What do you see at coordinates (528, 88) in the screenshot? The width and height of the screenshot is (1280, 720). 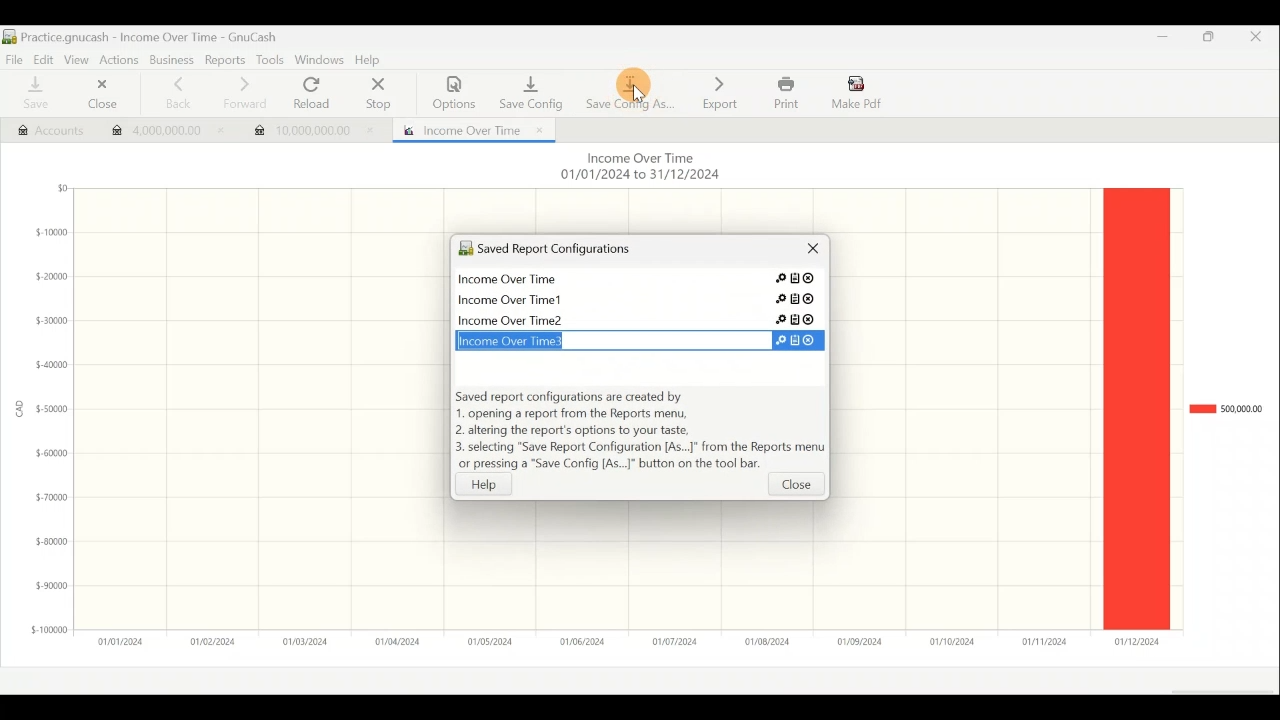 I see `Save config` at bounding box center [528, 88].